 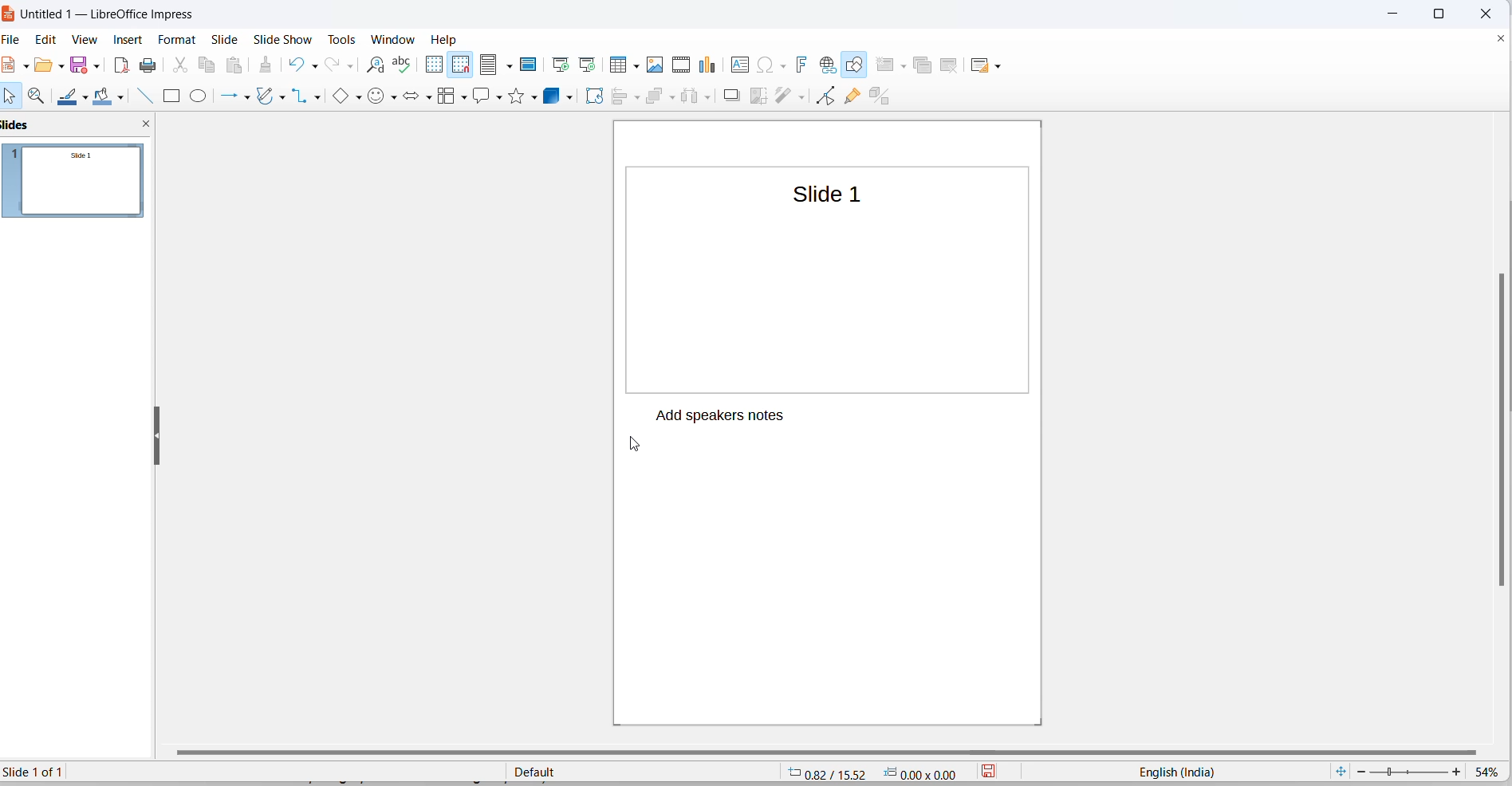 What do you see at coordinates (226, 39) in the screenshot?
I see `slide` at bounding box center [226, 39].